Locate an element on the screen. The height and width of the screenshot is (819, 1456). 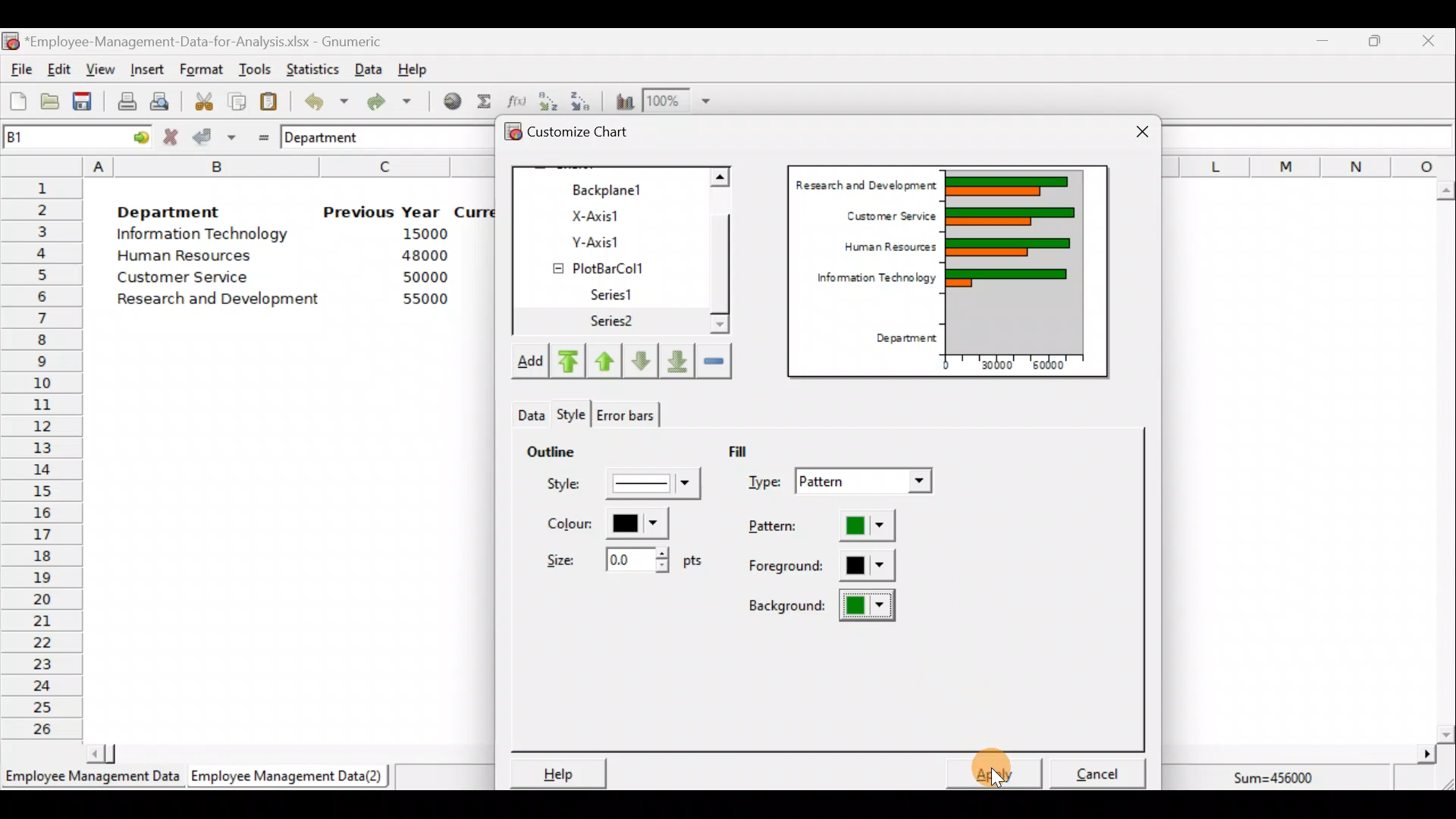
Insert is located at coordinates (146, 70).